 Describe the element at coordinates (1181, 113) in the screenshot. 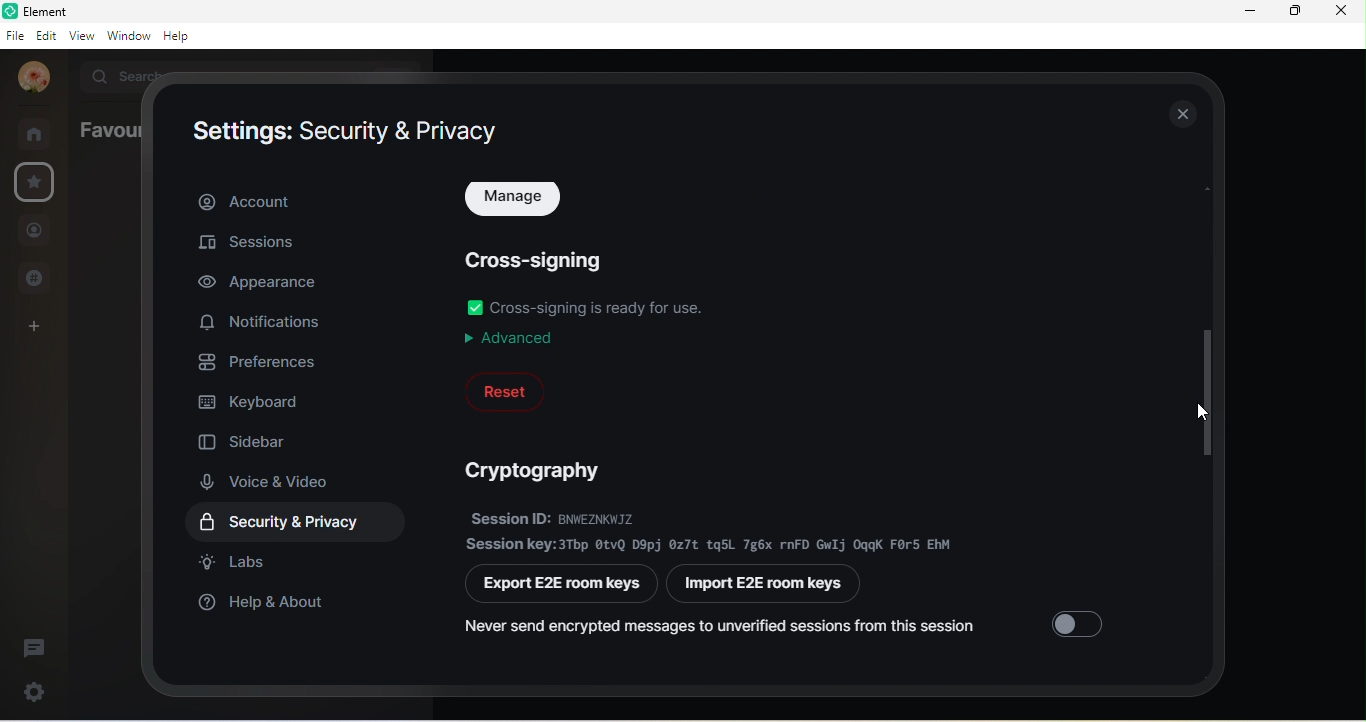

I see `close` at that location.